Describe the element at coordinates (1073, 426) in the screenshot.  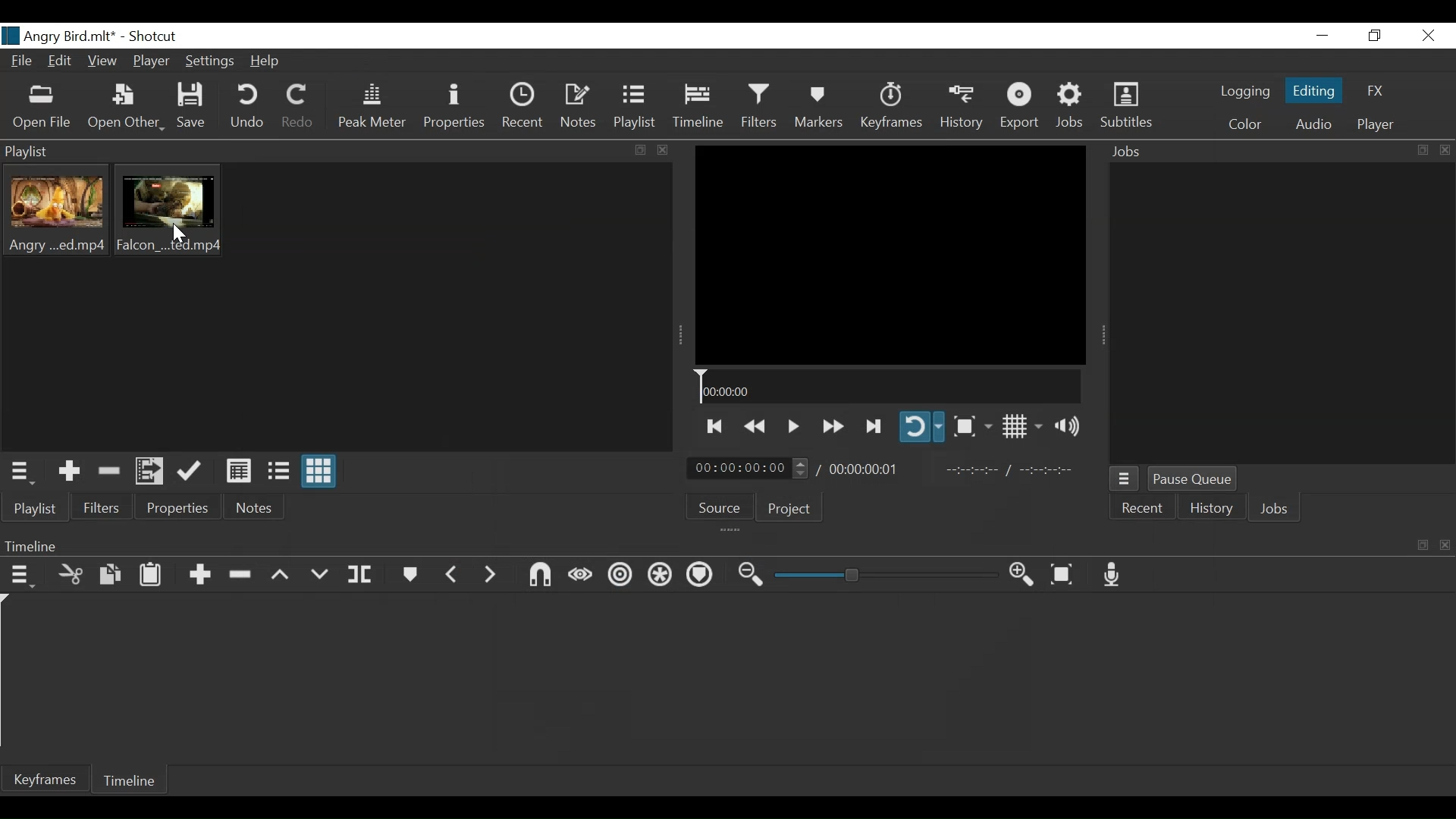
I see `Show volume control` at that location.